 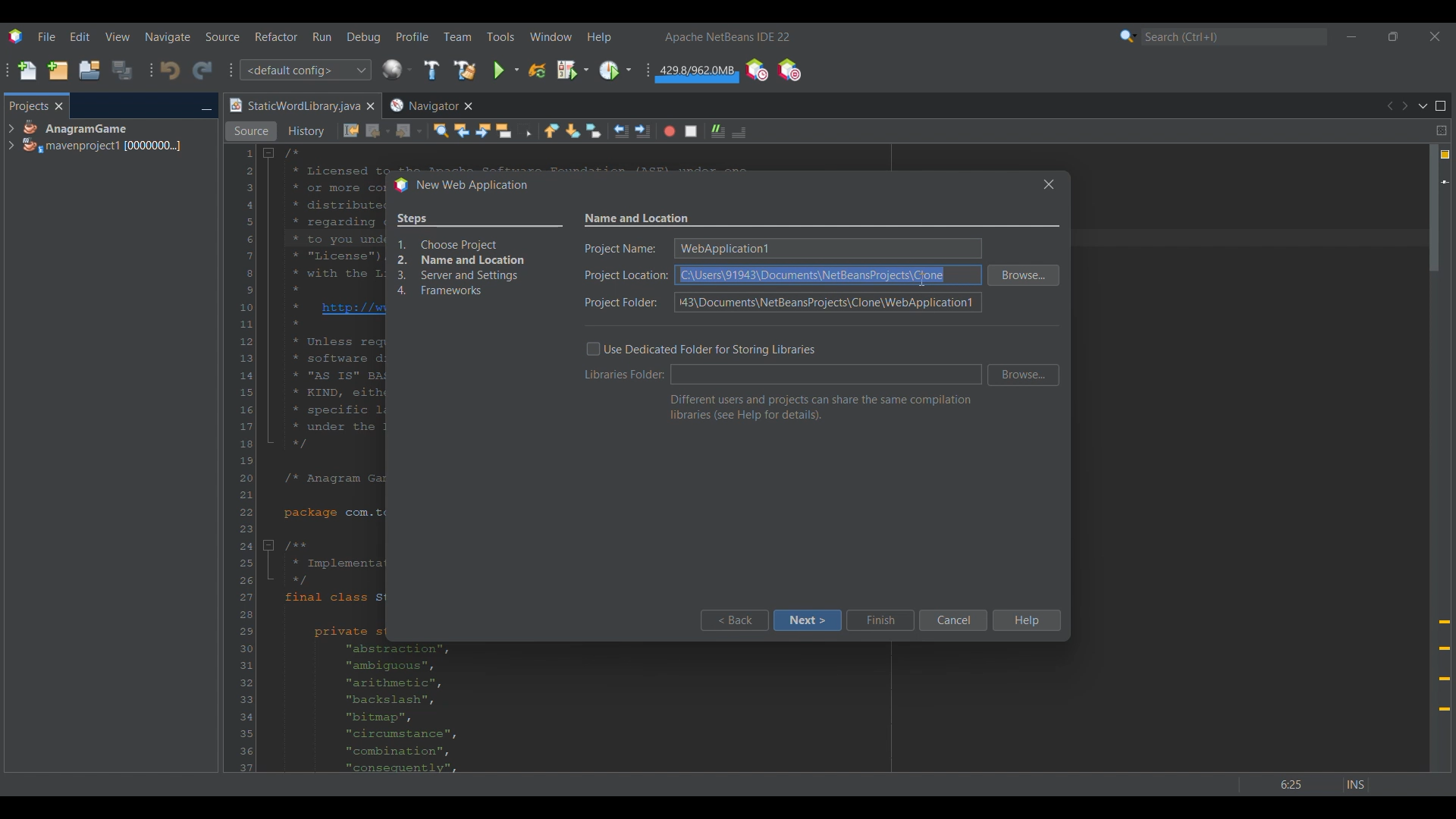 I want to click on Back, so click(x=733, y=620).